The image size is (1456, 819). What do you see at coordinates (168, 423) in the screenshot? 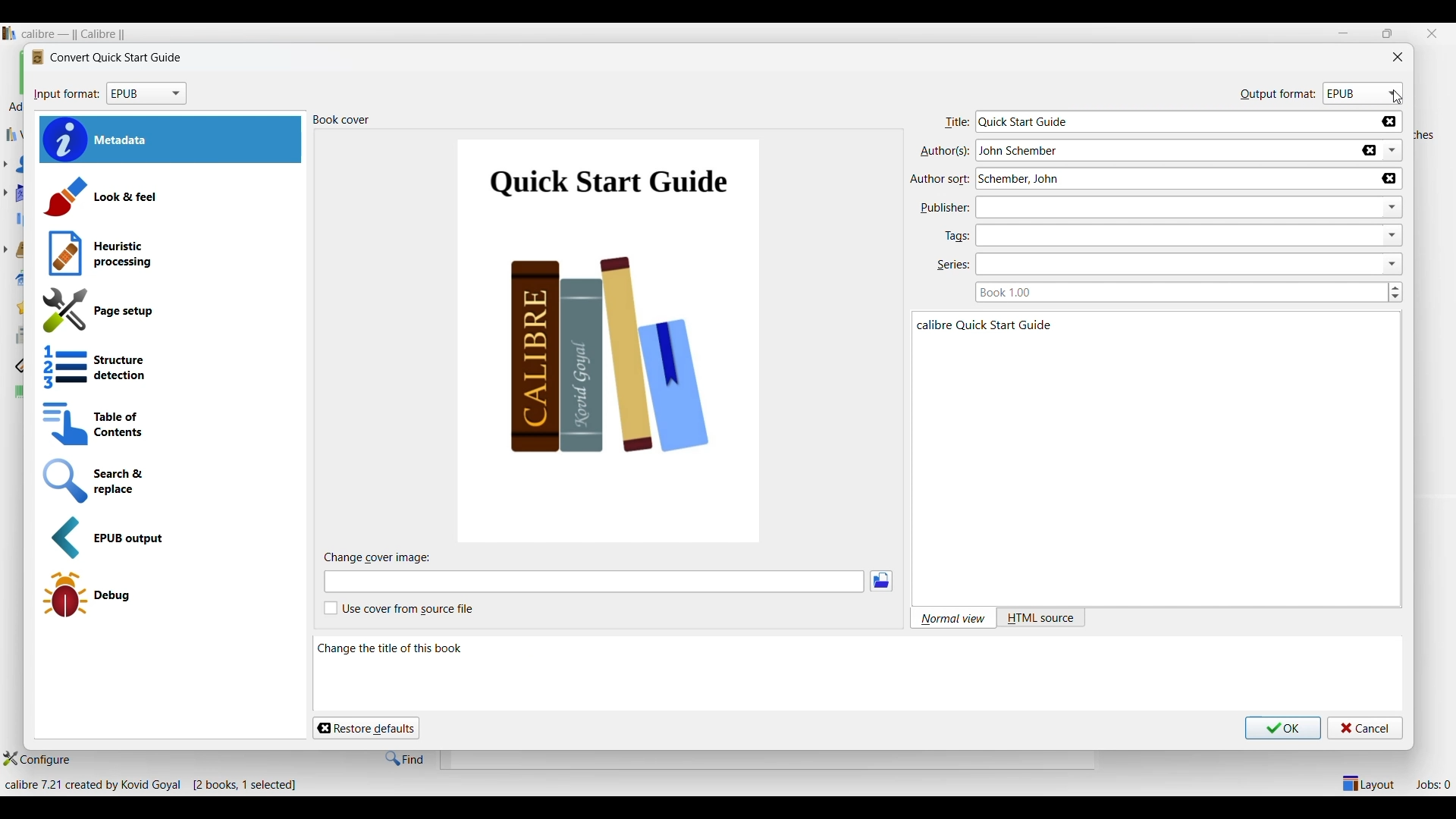
I see `Table of contents` at bounding box center [168, 423].